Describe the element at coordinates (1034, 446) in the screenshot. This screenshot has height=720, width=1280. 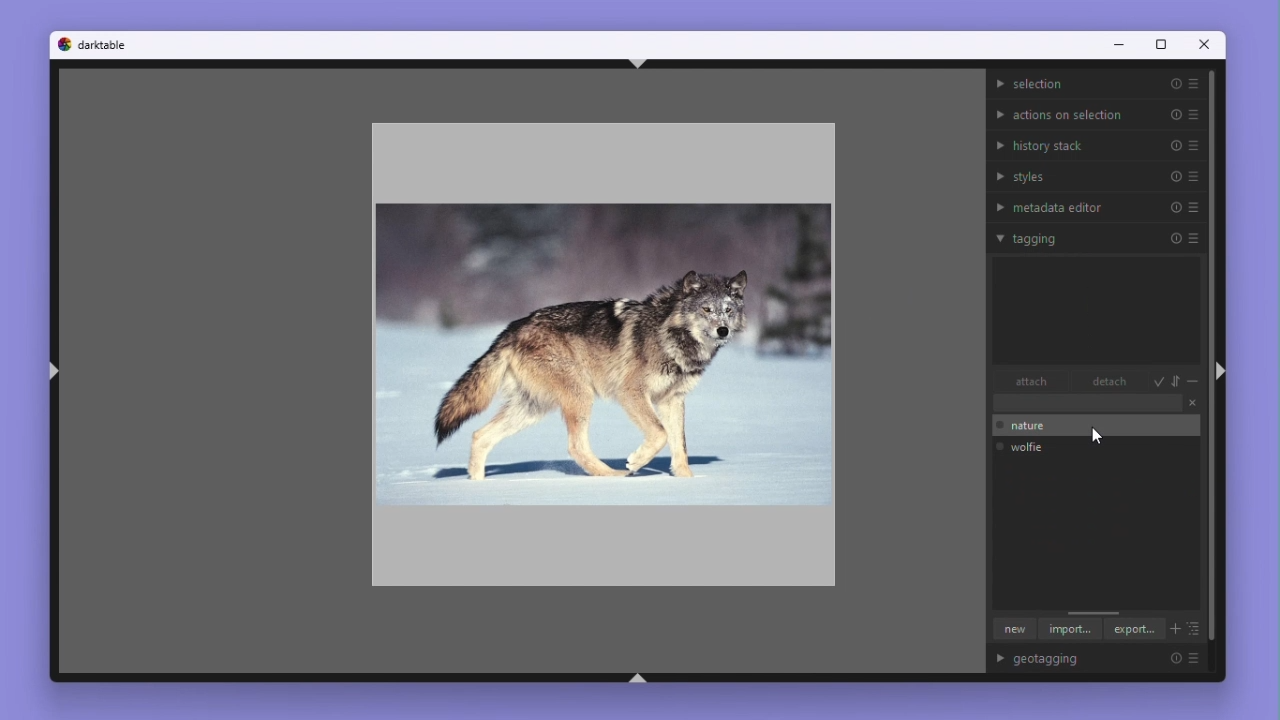
I see `wolfie` at that location.